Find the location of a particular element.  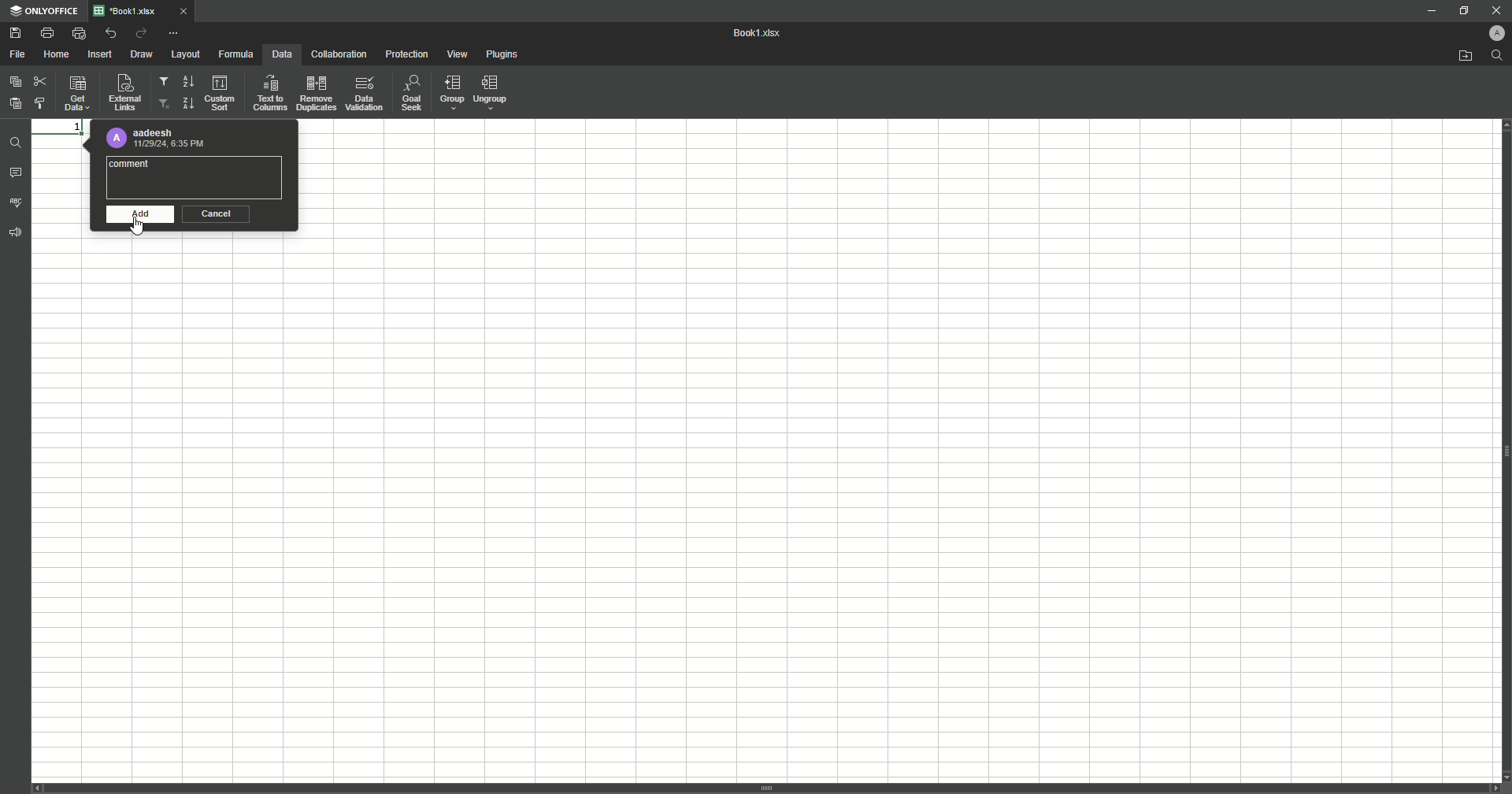

Home is located at coordinates (58, 54).